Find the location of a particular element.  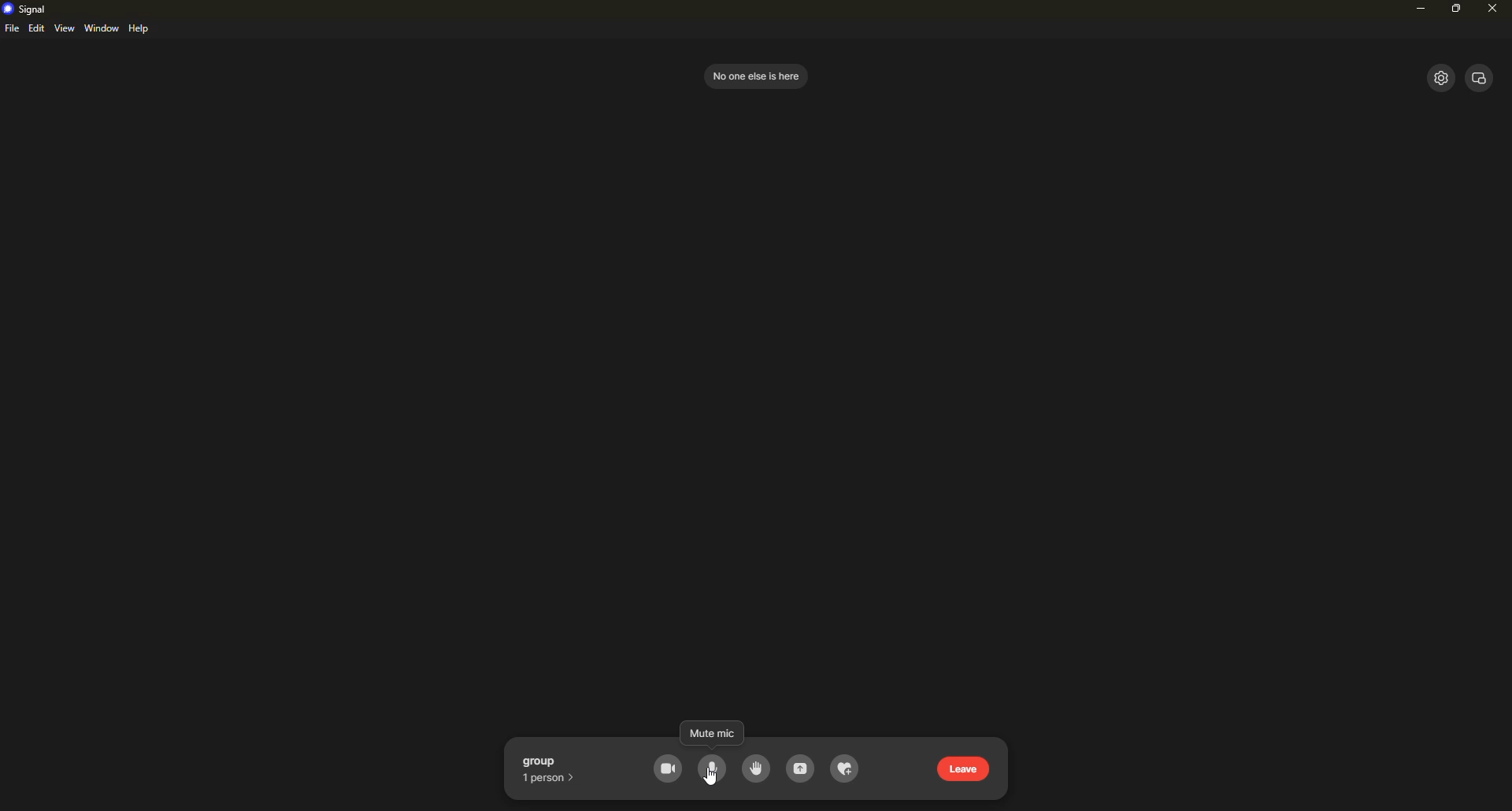

cursor is located at coordinates (713, 780).